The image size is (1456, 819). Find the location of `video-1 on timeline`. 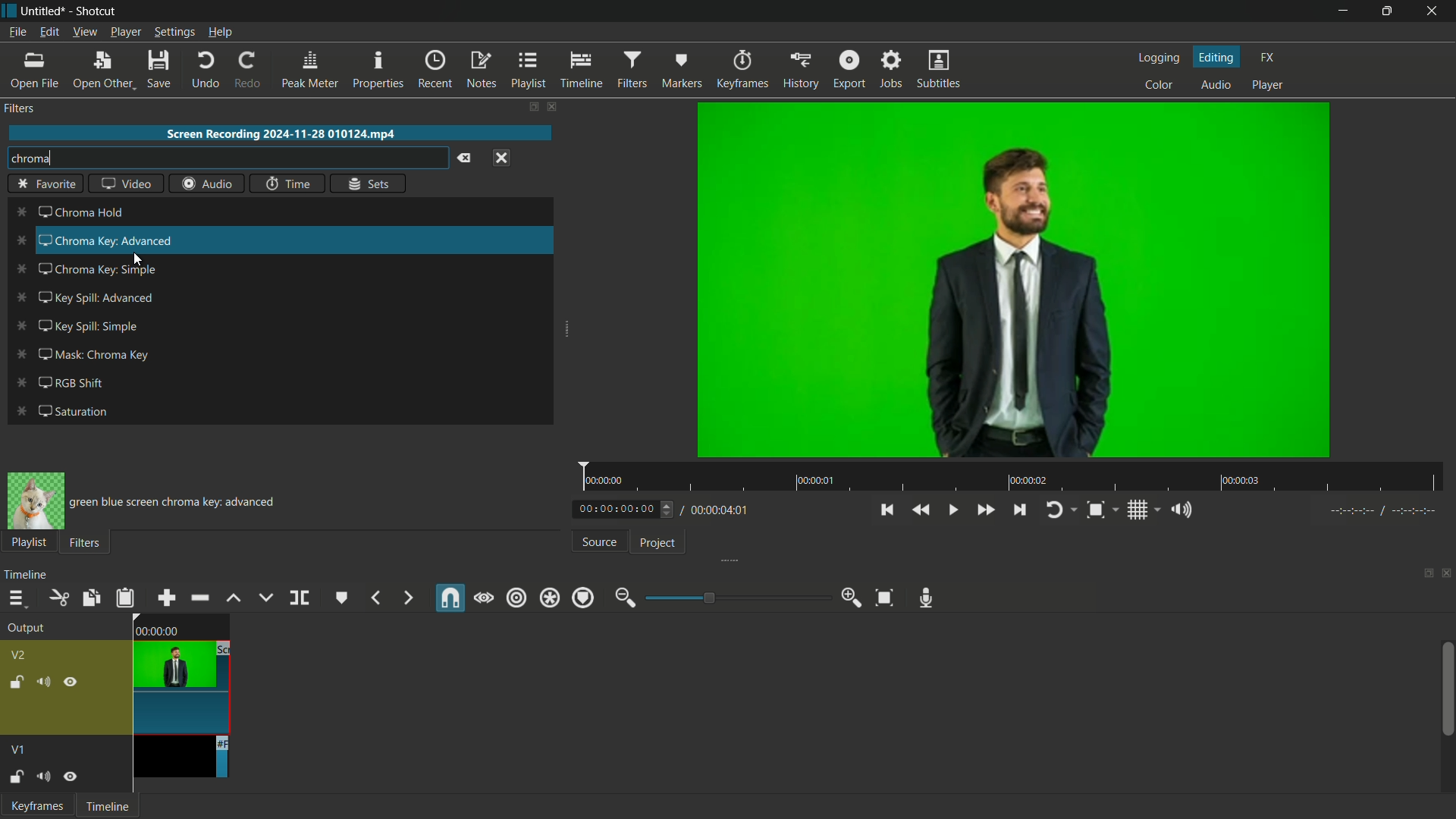

video-1 on timeline is located at coordinates (179, 758).